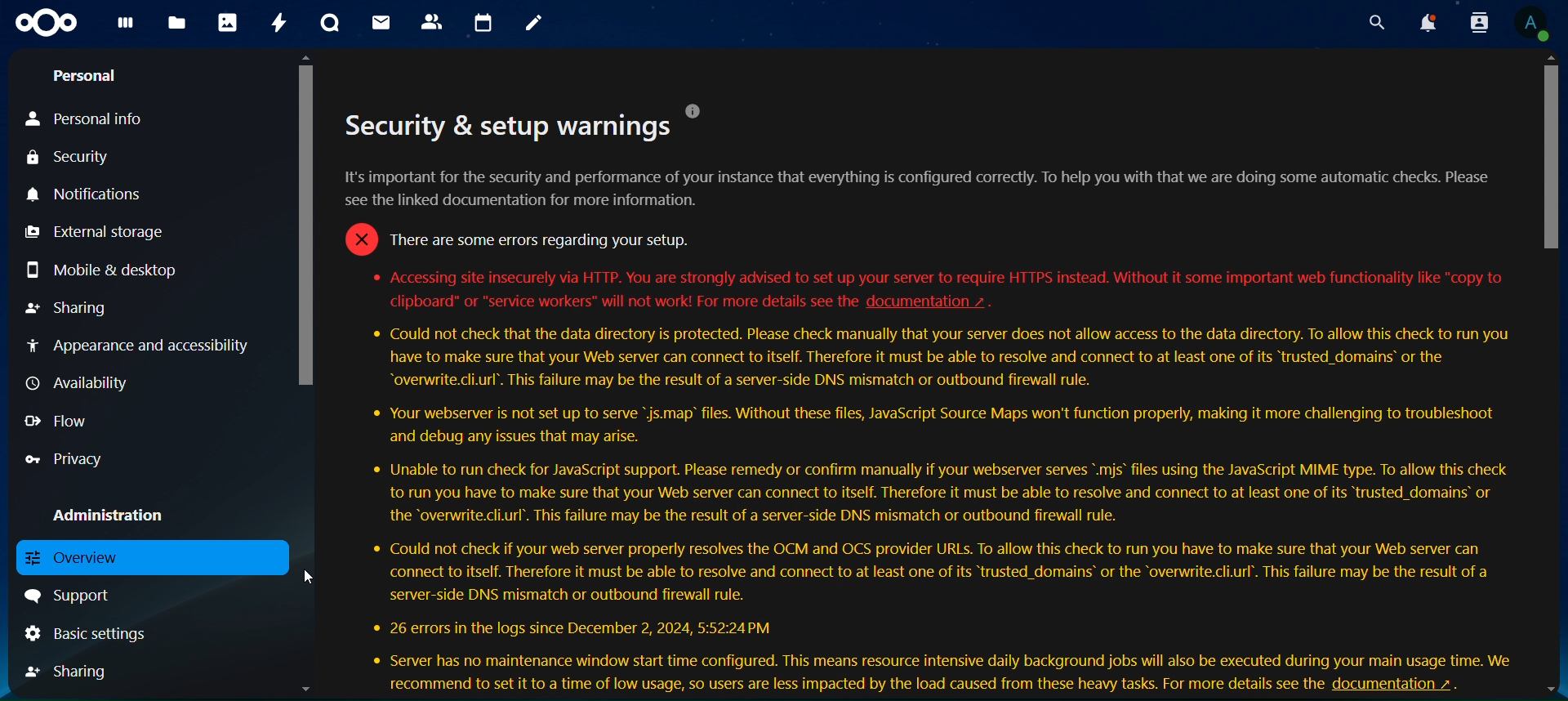 This screenshot has width=1568, height=701. I want to click on files, so click(176, 25).